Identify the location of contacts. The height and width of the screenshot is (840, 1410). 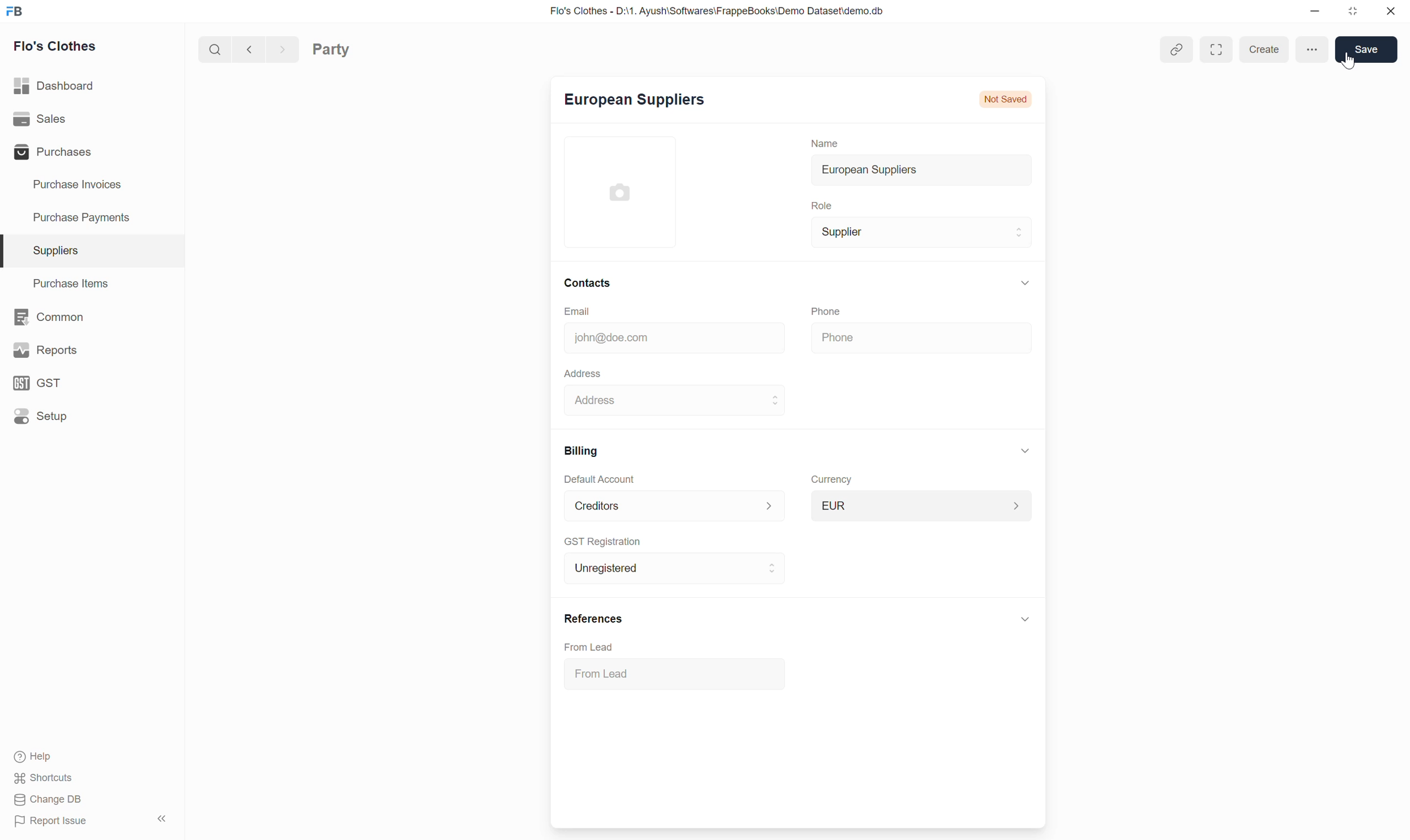
(587, 281).